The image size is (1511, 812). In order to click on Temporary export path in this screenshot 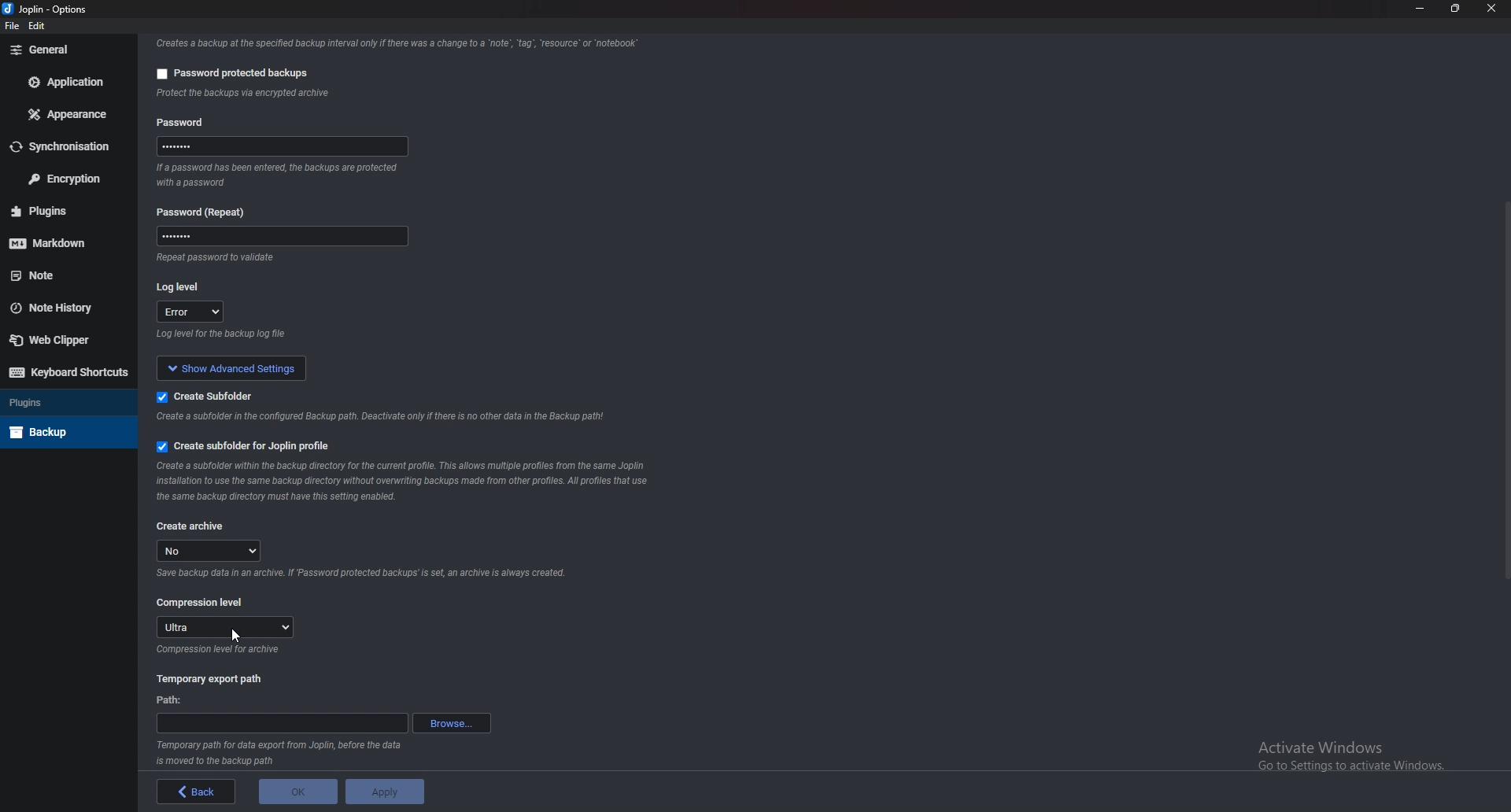, I will do `click(209, 679)`.